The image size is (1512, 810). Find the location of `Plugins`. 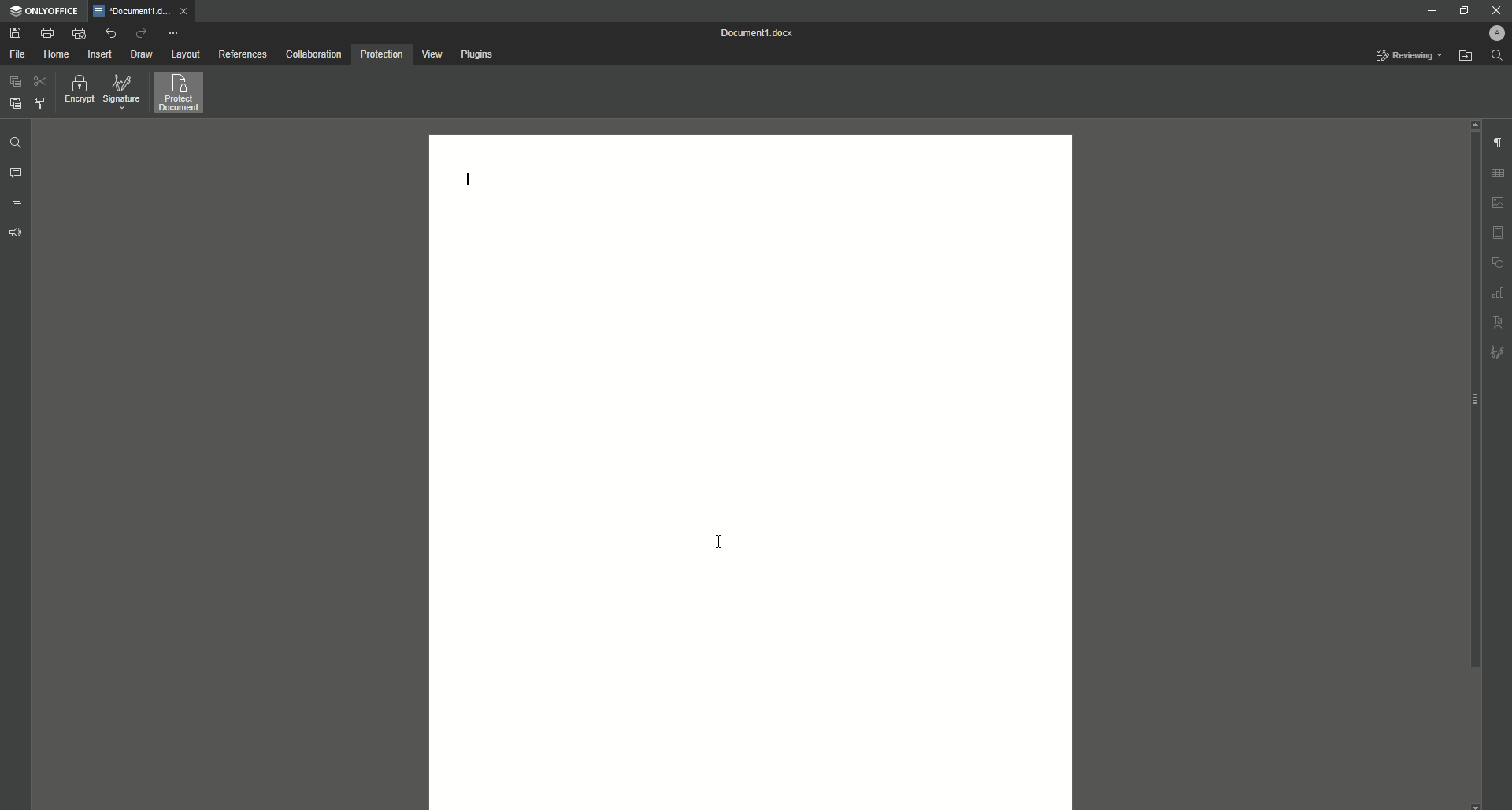

Plugins is located at coordinates (476, 54).